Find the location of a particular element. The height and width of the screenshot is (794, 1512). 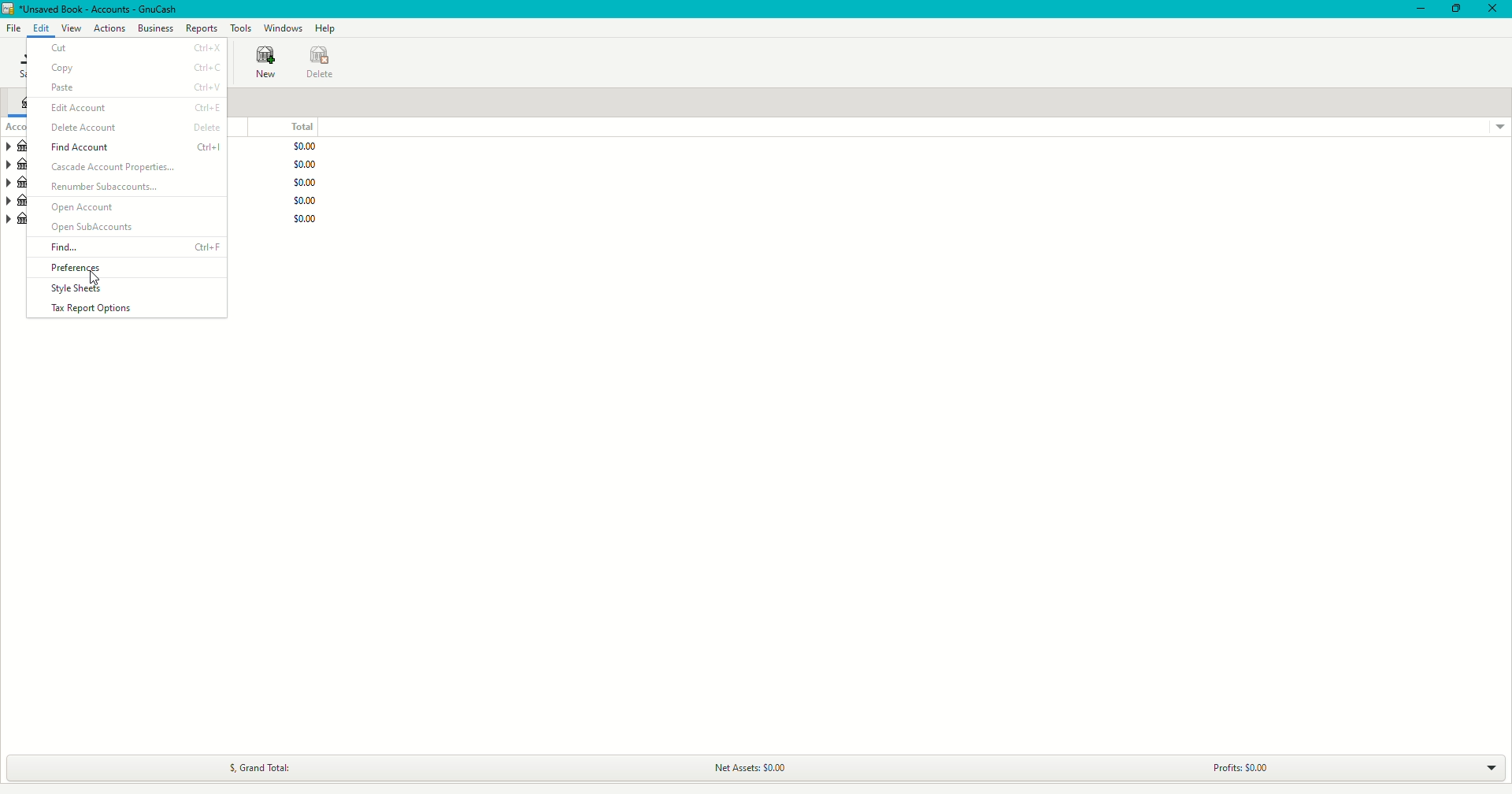

Reports is located at coordinates (202, 28).